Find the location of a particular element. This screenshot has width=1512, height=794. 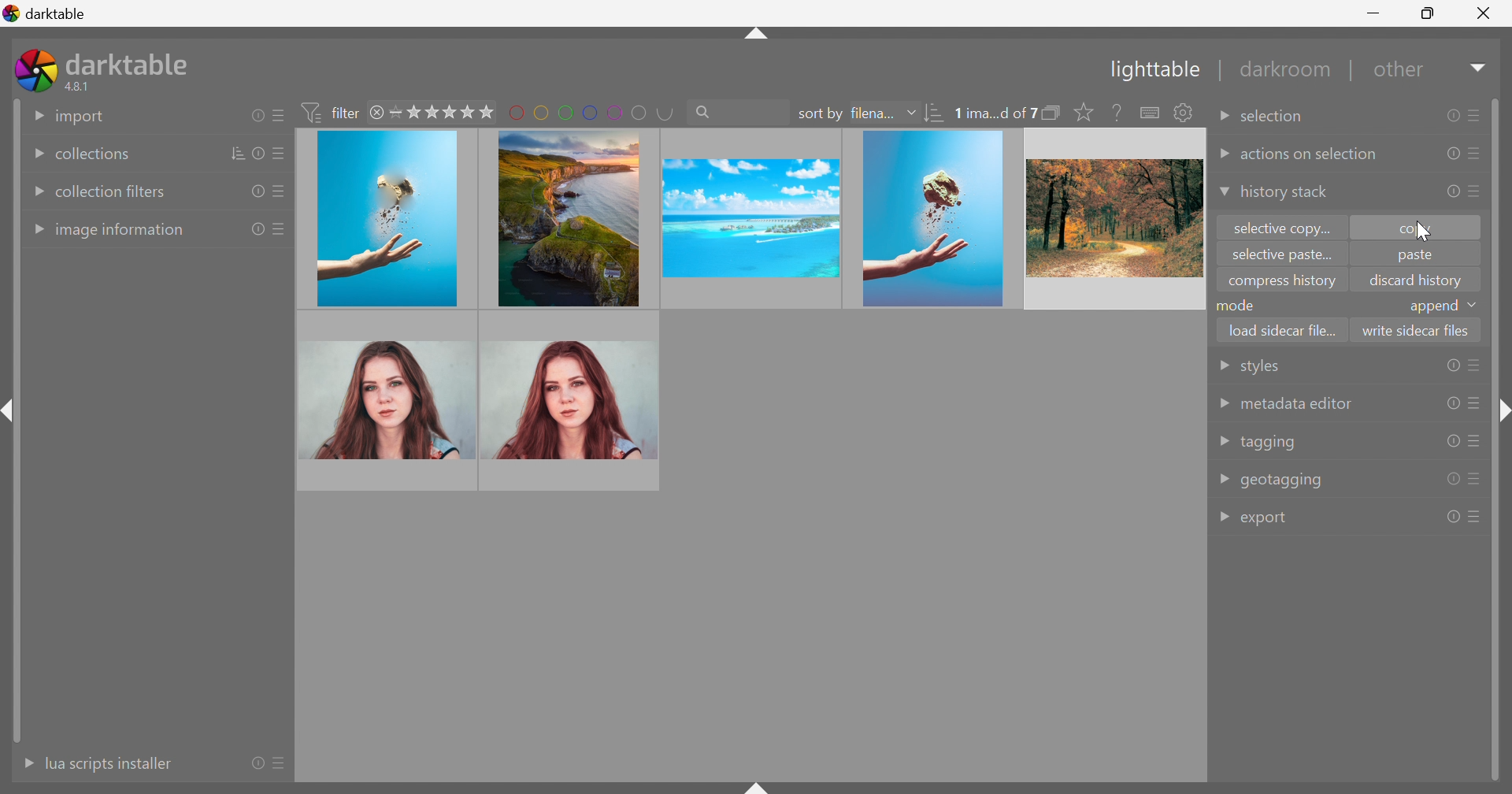

metadata editor is located at coordinates (1295, 404).